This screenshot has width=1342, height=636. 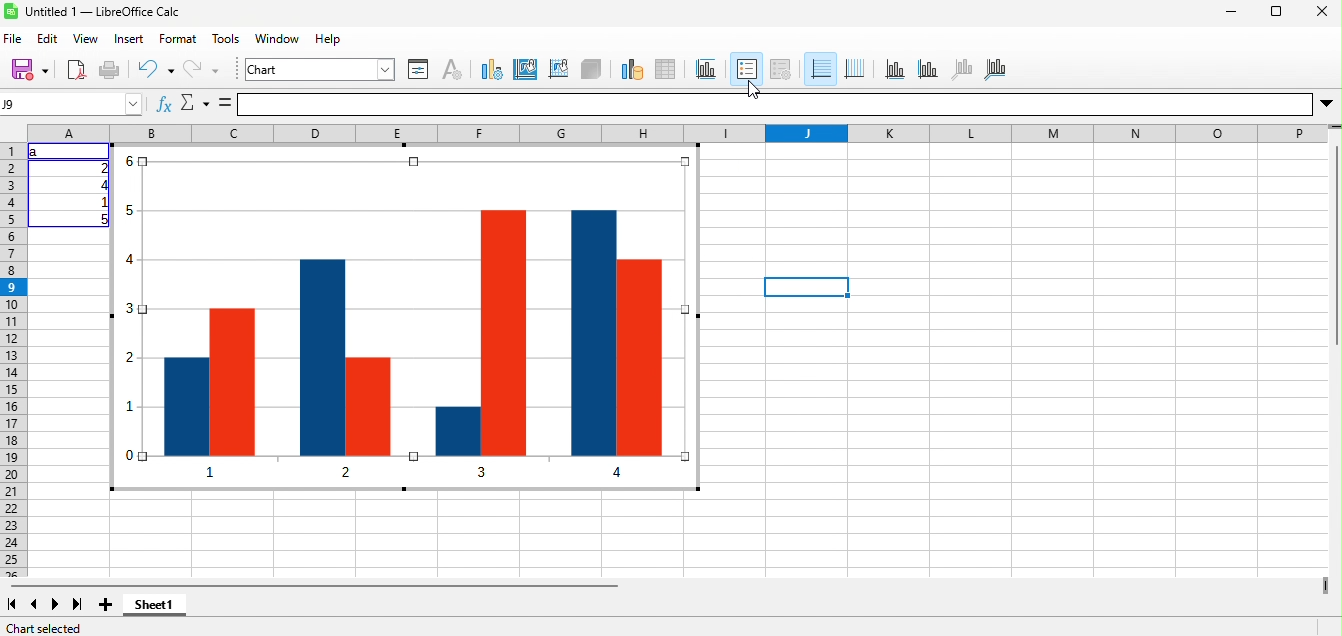 I want to click on Name box, so click(x=72, y=104).